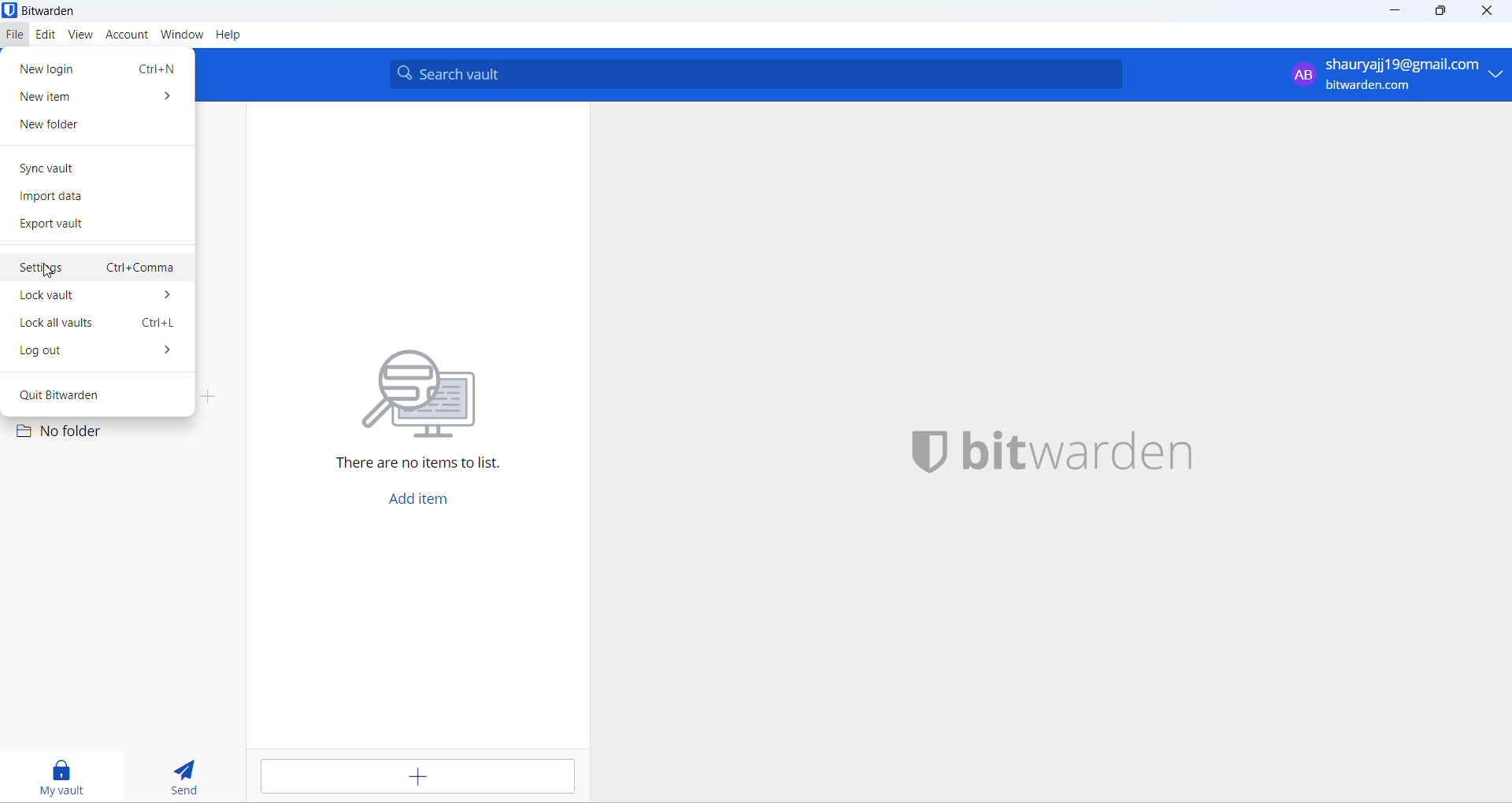 The width and height of the screenshot is (1512, 803). What do you see at coordinates (98, 170) in the screenshot?
I see `sync vault` at bounding box center [98, 170].